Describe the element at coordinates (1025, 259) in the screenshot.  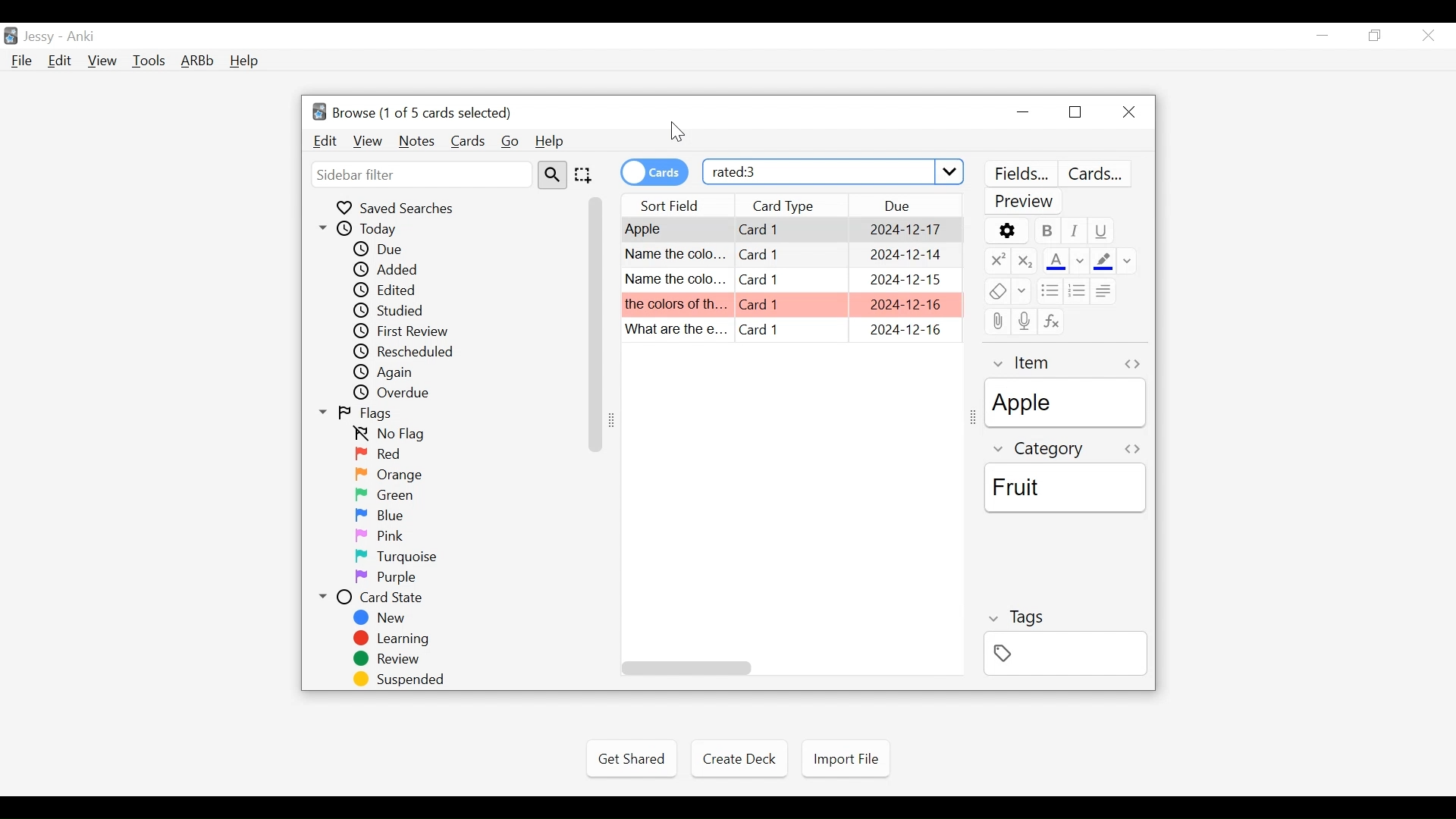
I see `Subscript` at that location.